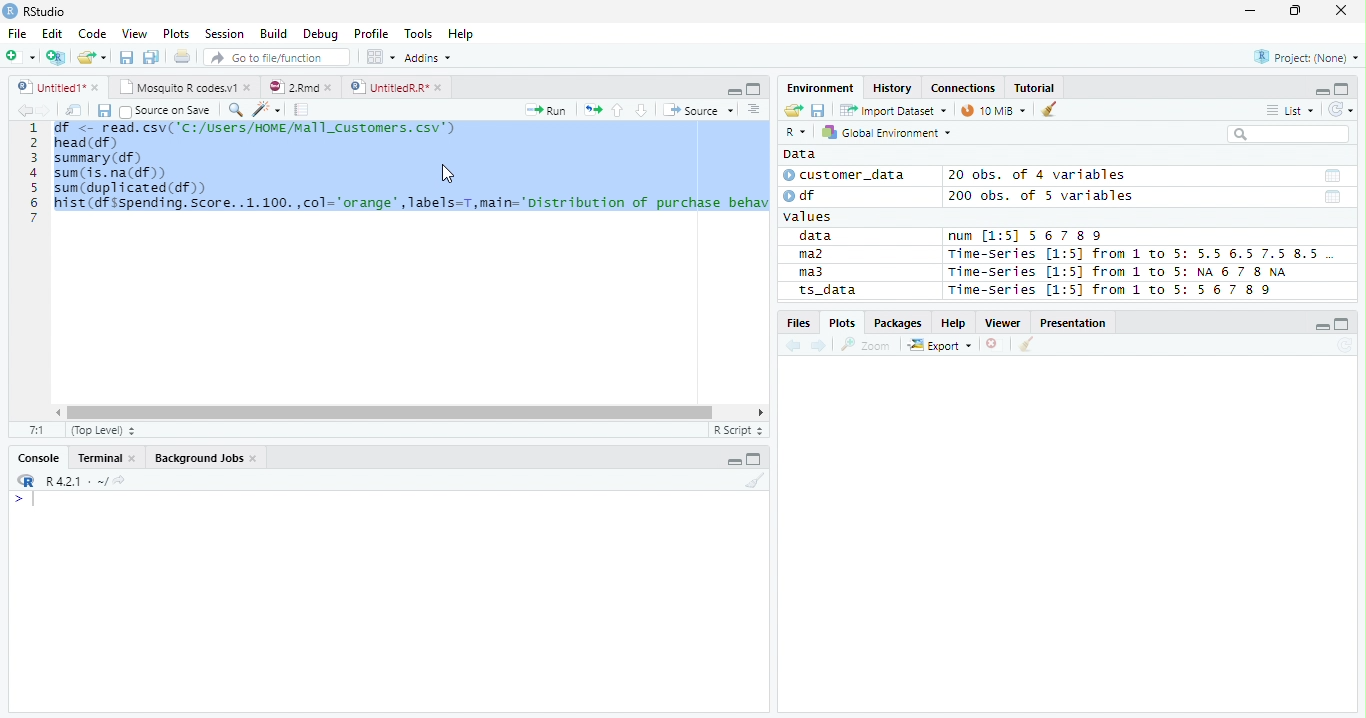 The image size is (1366, 718). What do you see at coordinates (795, 133) in the screenshot?
I see `R` at bounding box center [795, 133].